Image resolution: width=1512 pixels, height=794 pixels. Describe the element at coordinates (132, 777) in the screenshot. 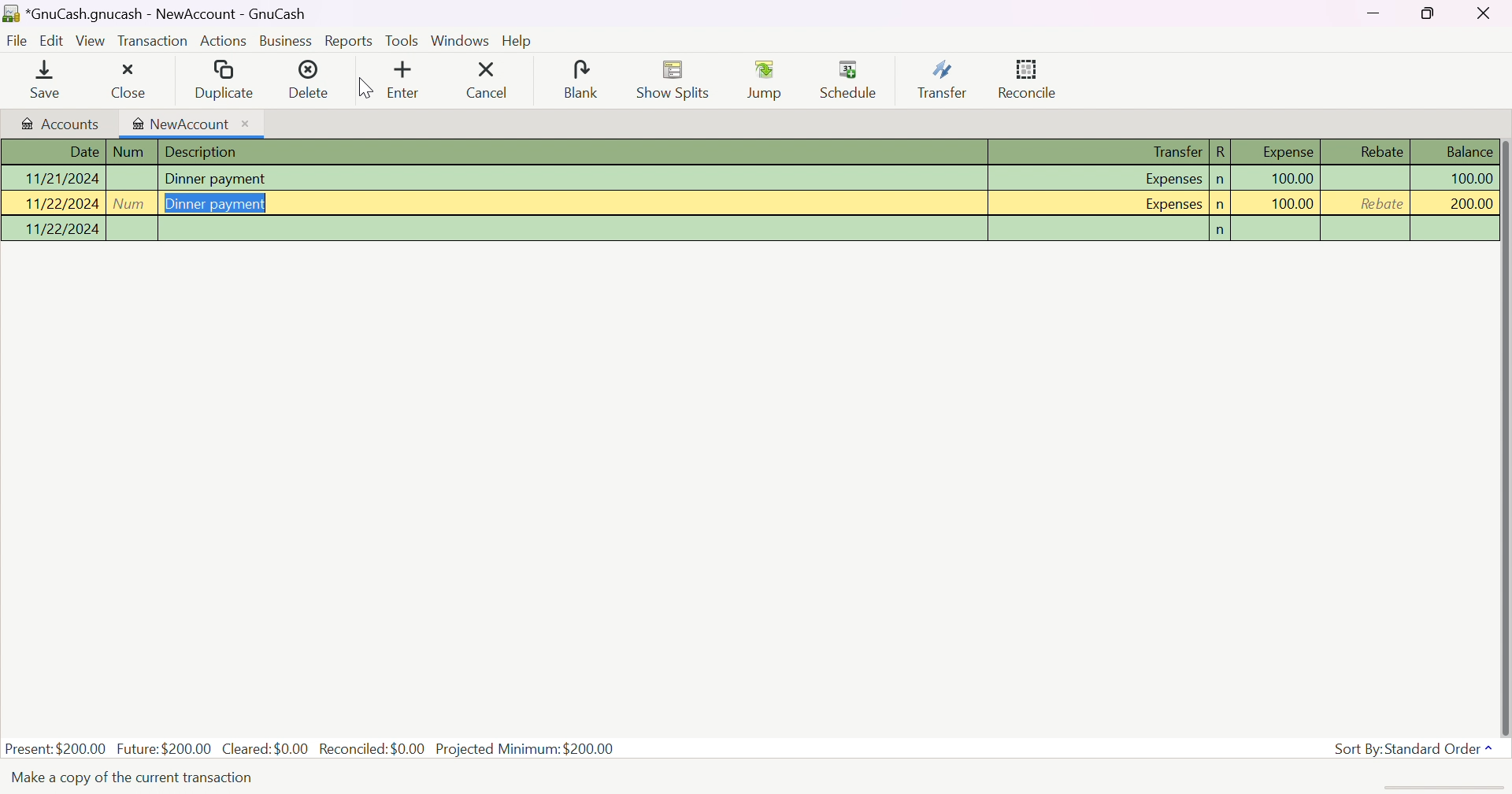

I see `Text` at that location.